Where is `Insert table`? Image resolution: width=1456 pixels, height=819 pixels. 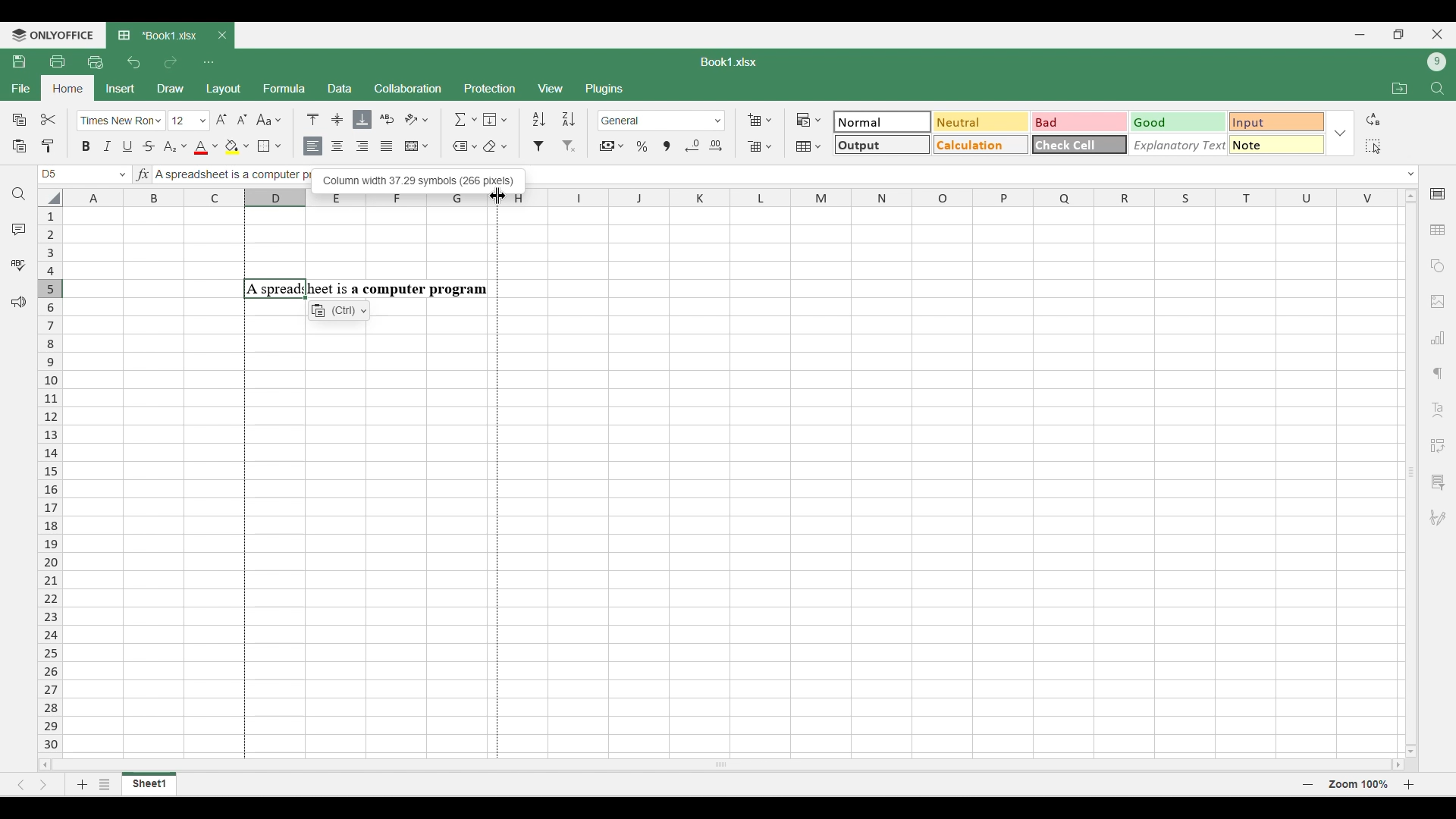
Insert table is located at coordinates (1439, 231).